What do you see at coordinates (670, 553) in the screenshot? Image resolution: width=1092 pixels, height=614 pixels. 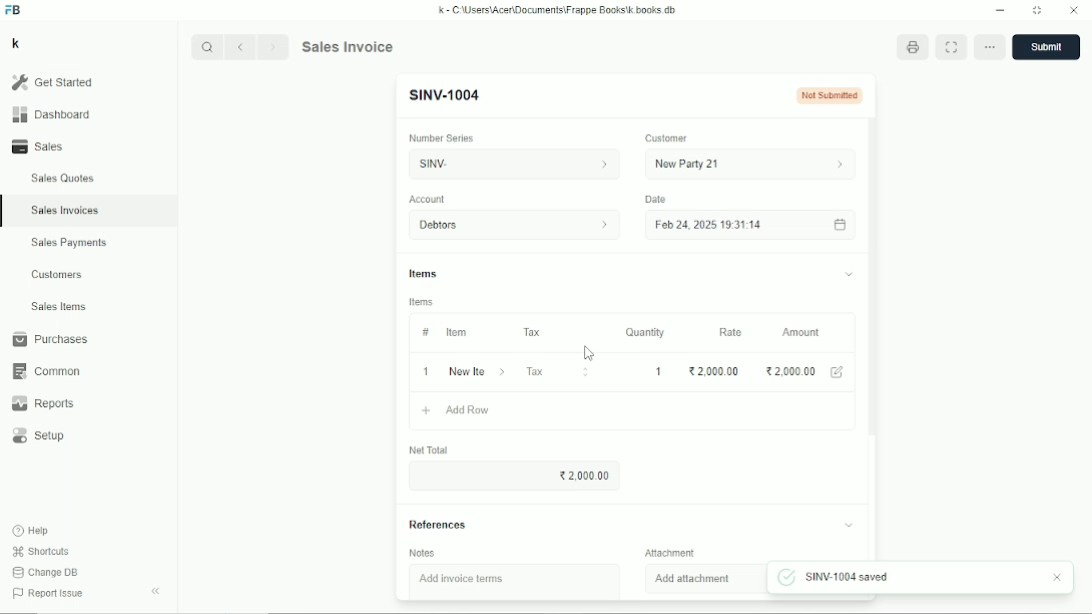 I see `Attachment` at bounding box center [670, 553].